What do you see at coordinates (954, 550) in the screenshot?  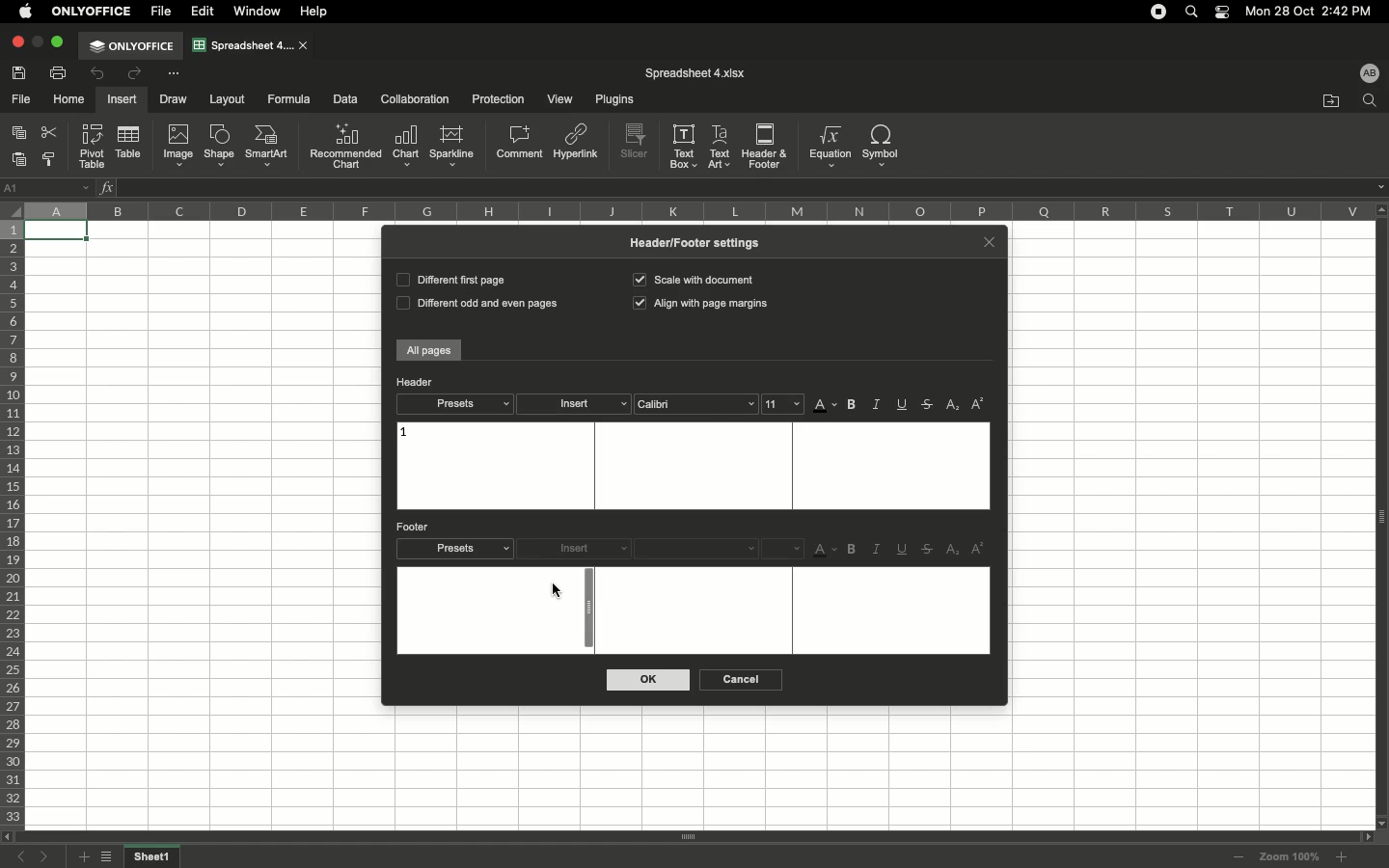 I see `Subscript` at bounding box center [954, 550].